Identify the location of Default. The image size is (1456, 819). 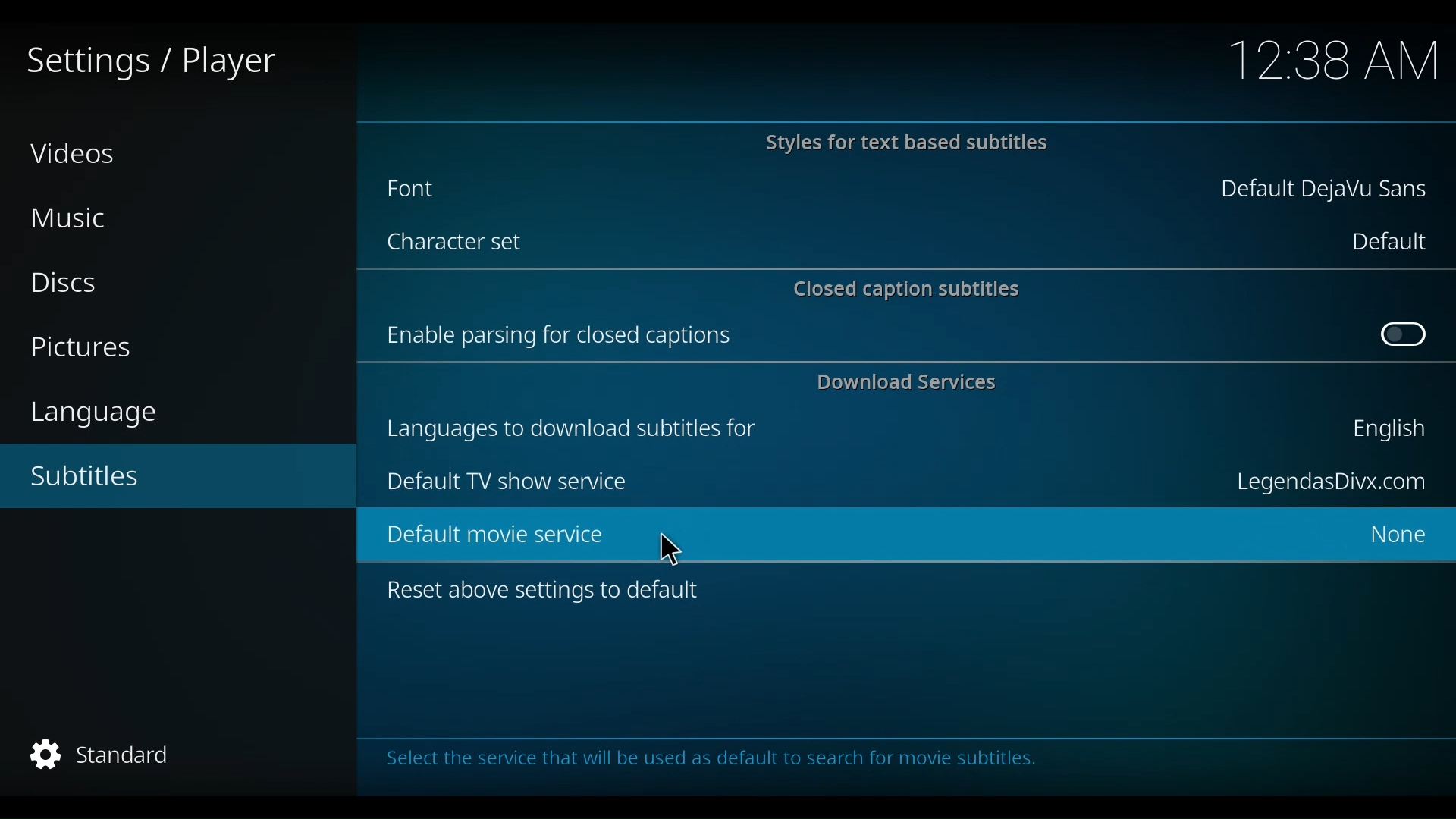
(1387, 241).